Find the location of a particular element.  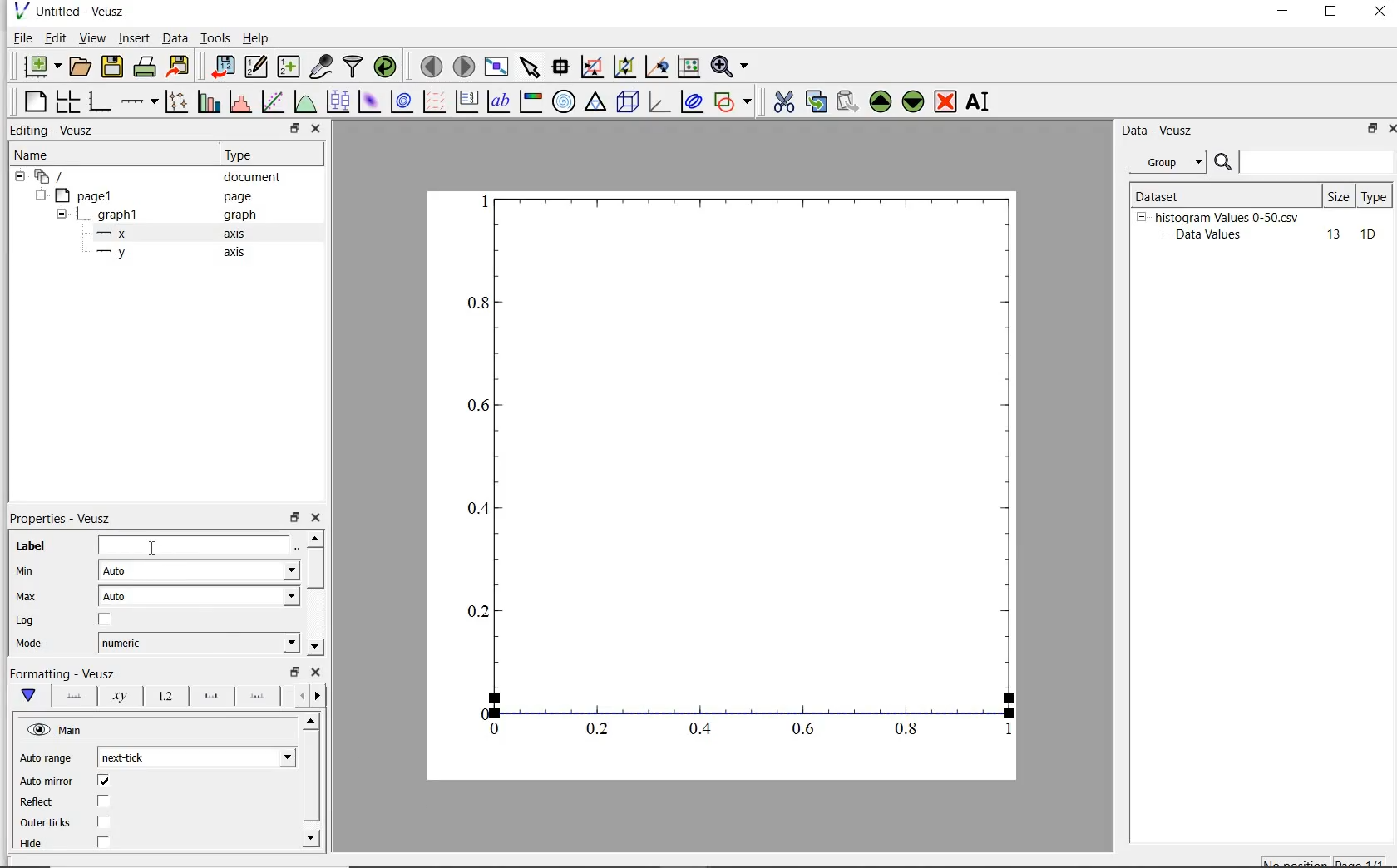

add shape is located at coordinates (733, 103).